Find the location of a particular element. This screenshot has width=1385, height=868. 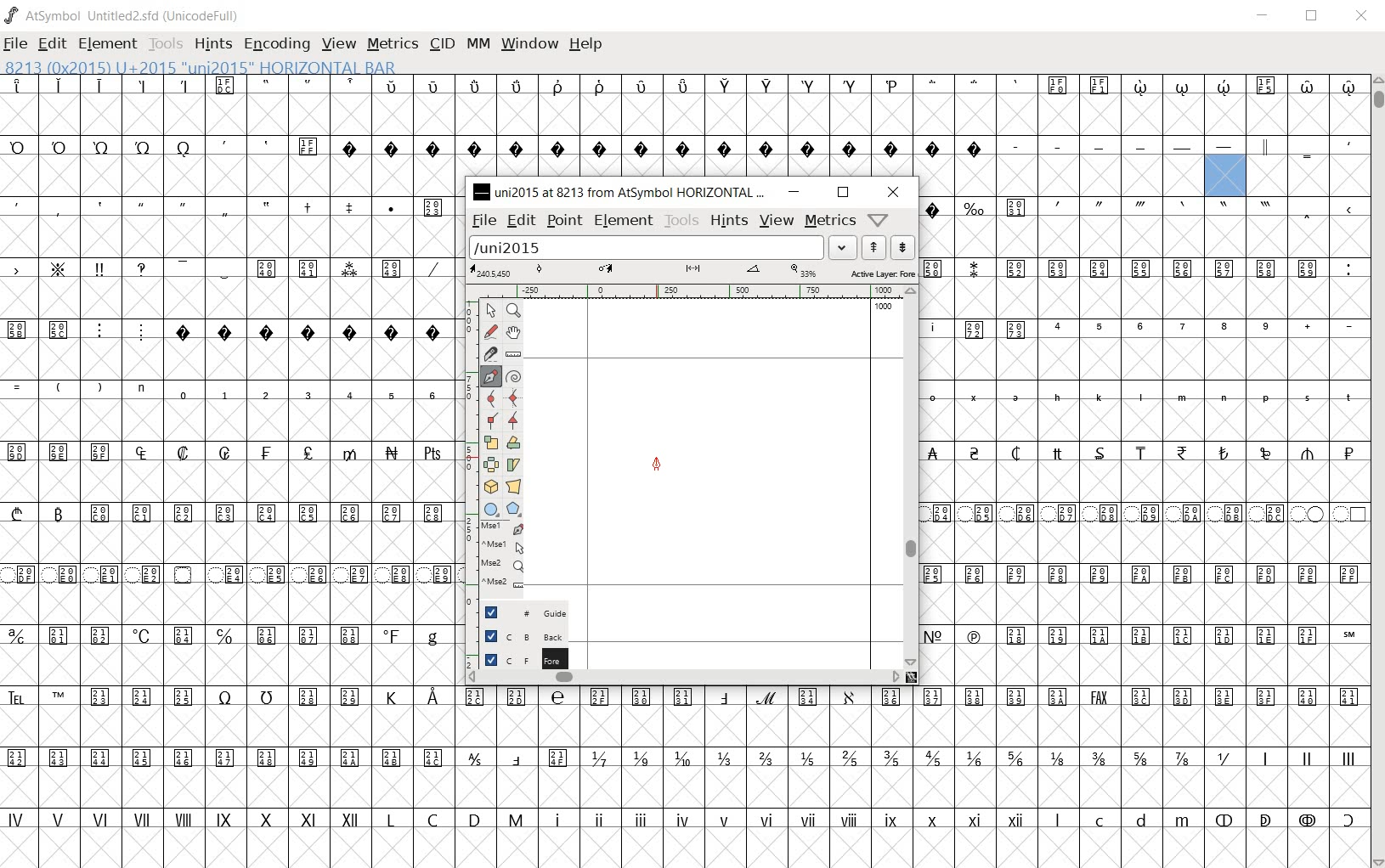

show the next word on the list is located at coordinates (873, 247).